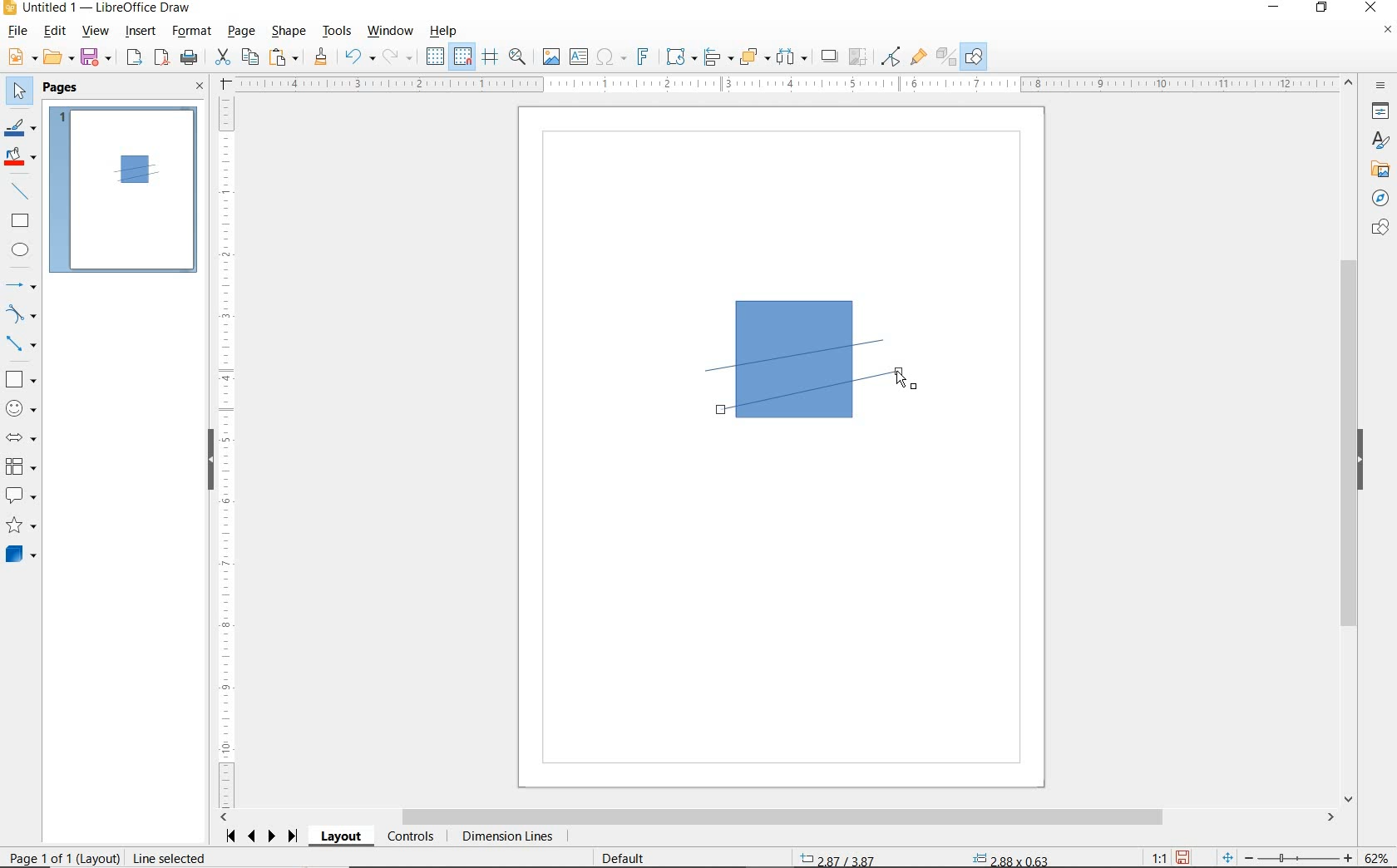 The width and height of the screenshot is (1397, 868). Describe the element at coordinates (777, 817) in the screenshot. I see `SCROLLBAR` at that location.